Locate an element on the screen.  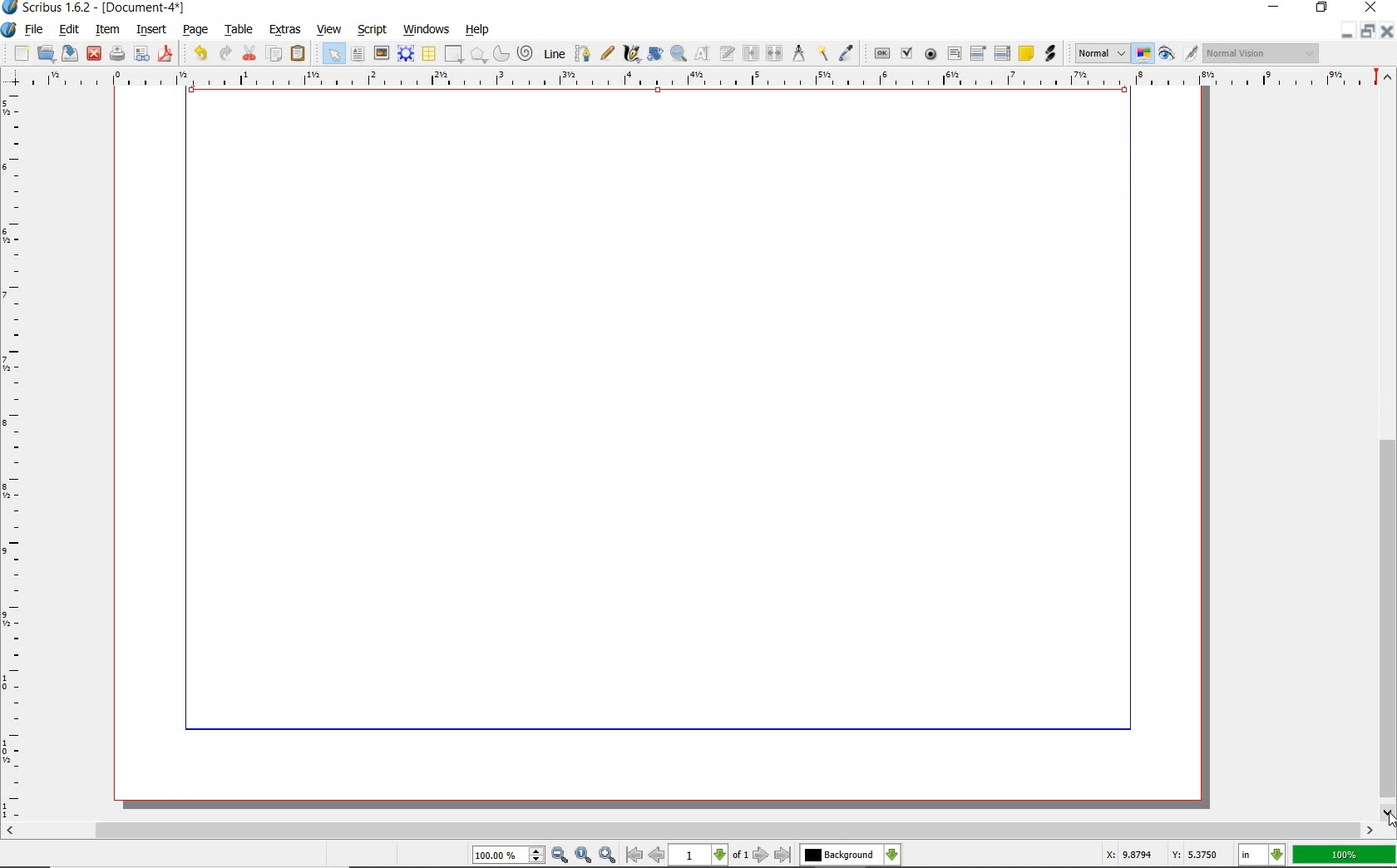
link annotation is located at coordinates (1049, 55).